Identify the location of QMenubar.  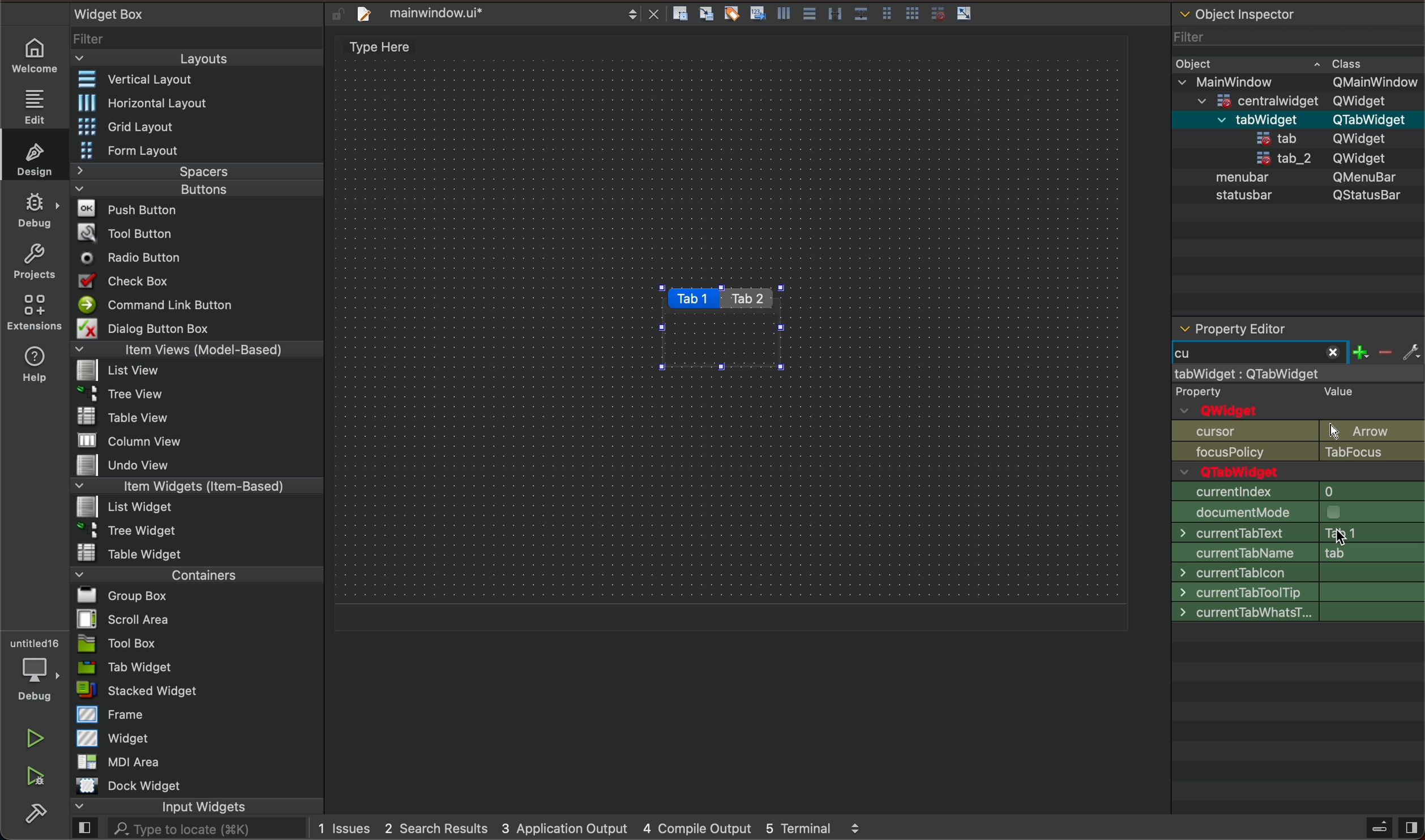
(1355, 179).